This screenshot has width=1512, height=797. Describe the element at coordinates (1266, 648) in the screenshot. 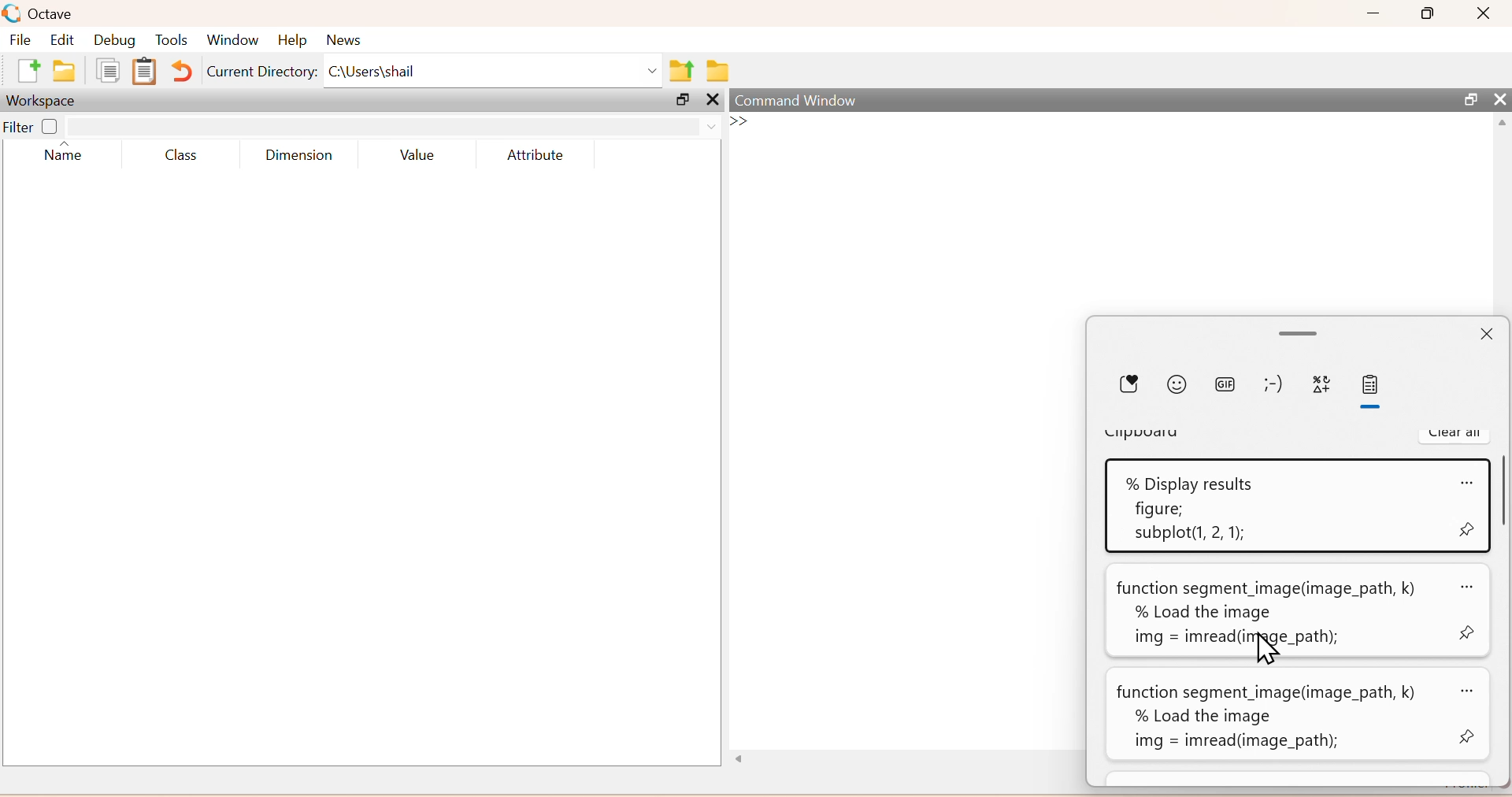

I see `ursor` at that location.